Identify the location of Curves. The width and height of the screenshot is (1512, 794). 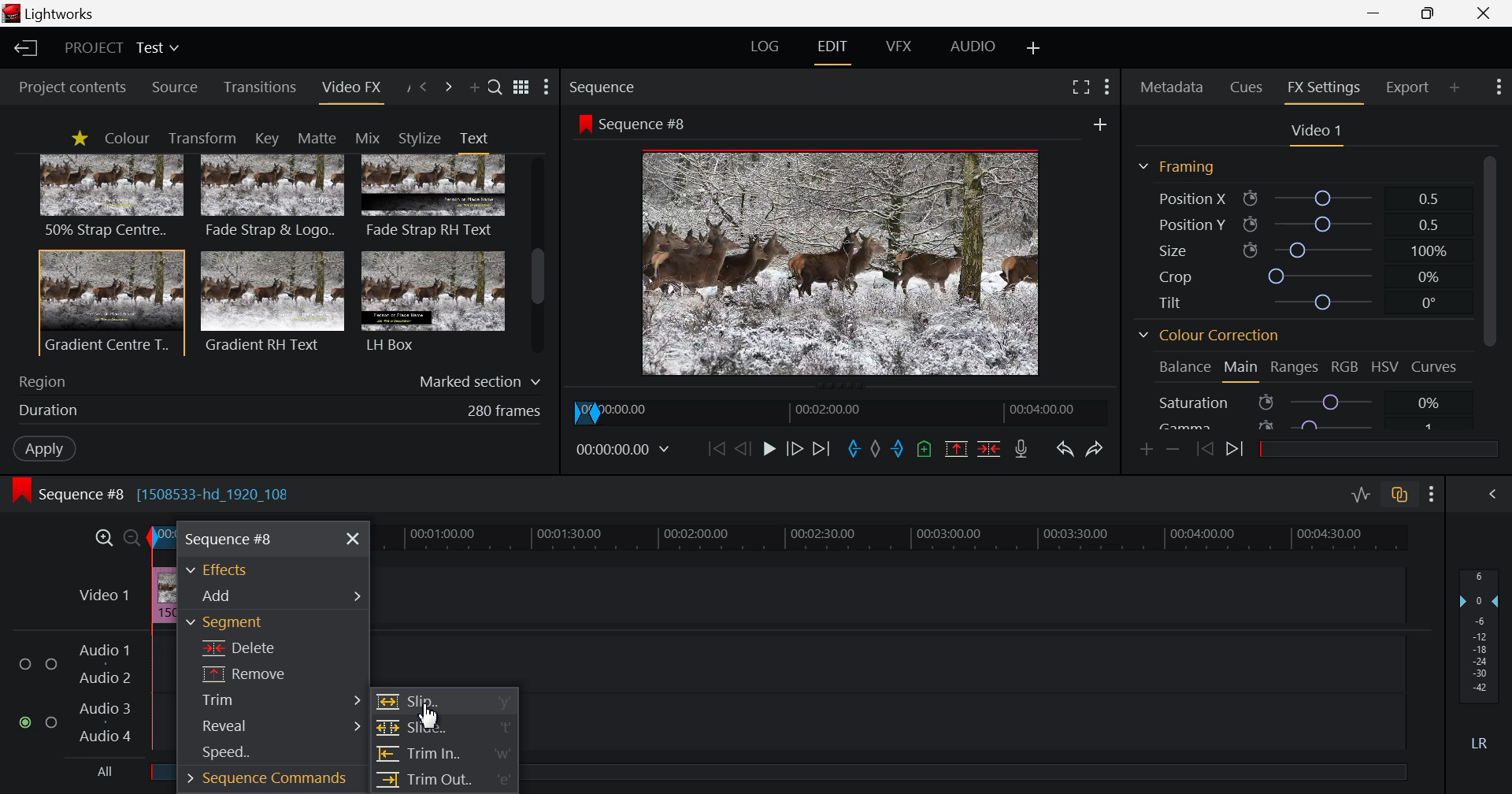
(1437, 365).